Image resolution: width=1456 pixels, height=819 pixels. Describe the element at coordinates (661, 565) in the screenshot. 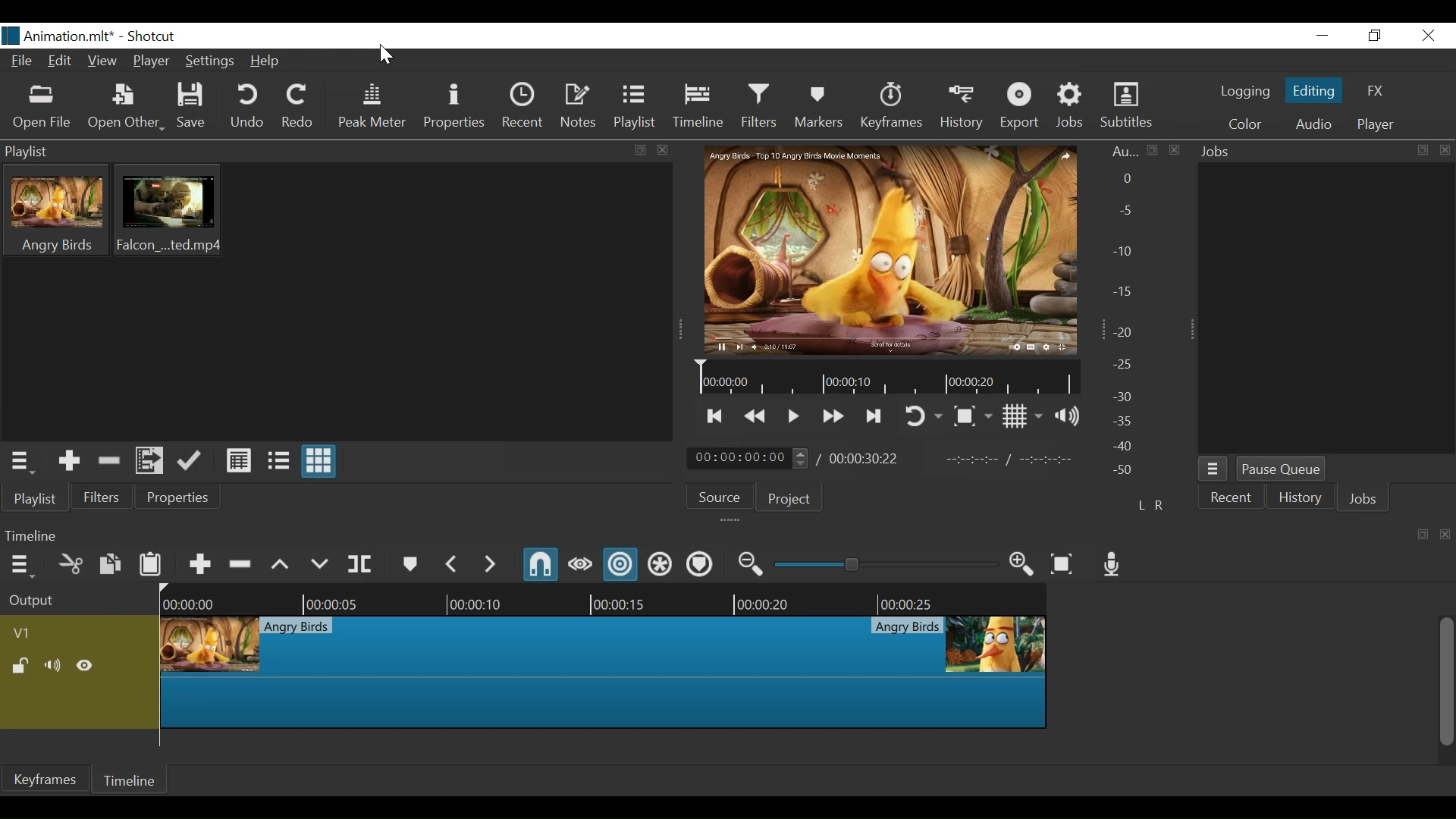

I see `Ripple all tracks` at that location.